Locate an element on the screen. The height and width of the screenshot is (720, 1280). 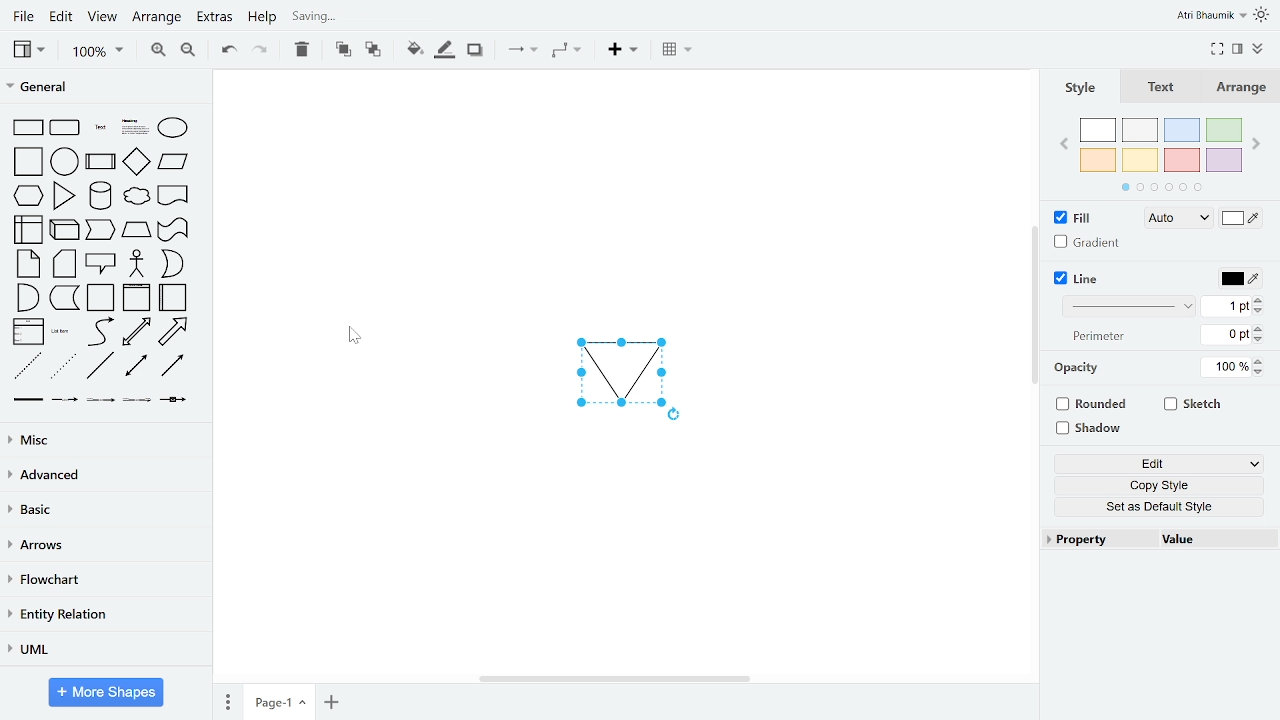
file is located at coordinates (22, 16).